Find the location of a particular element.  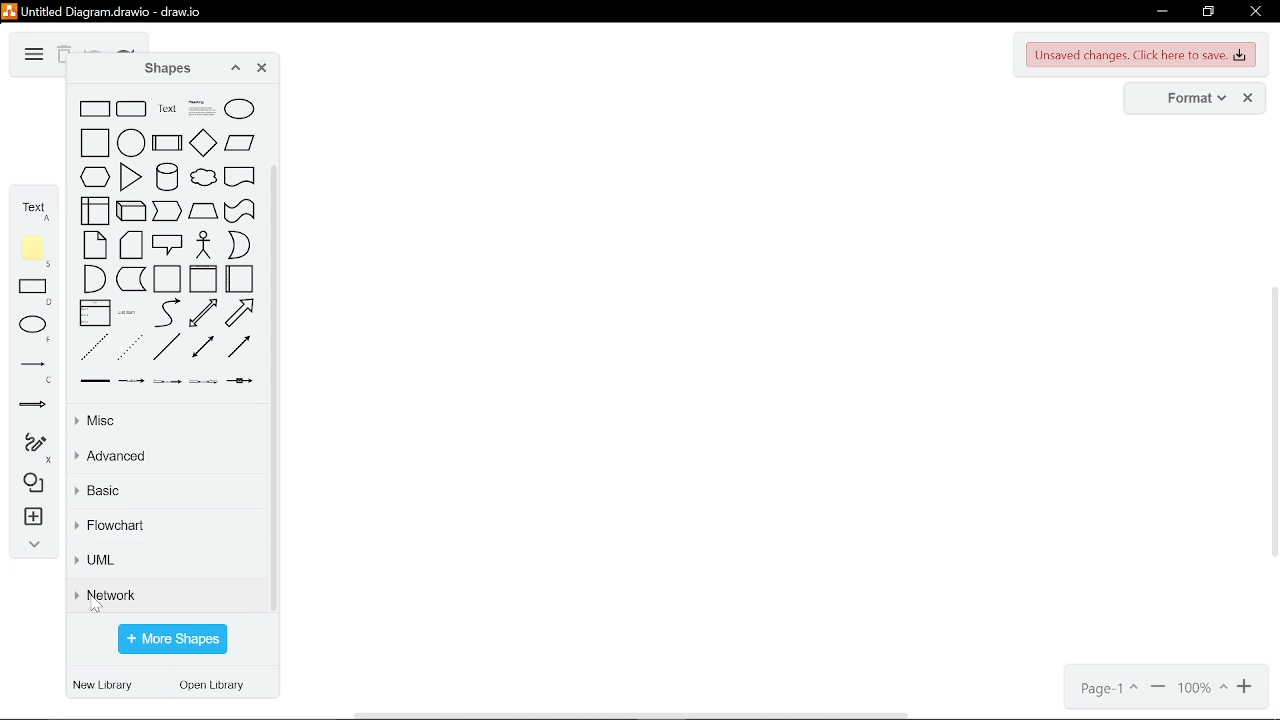

parallelogram is located at coordinates (240, 142).